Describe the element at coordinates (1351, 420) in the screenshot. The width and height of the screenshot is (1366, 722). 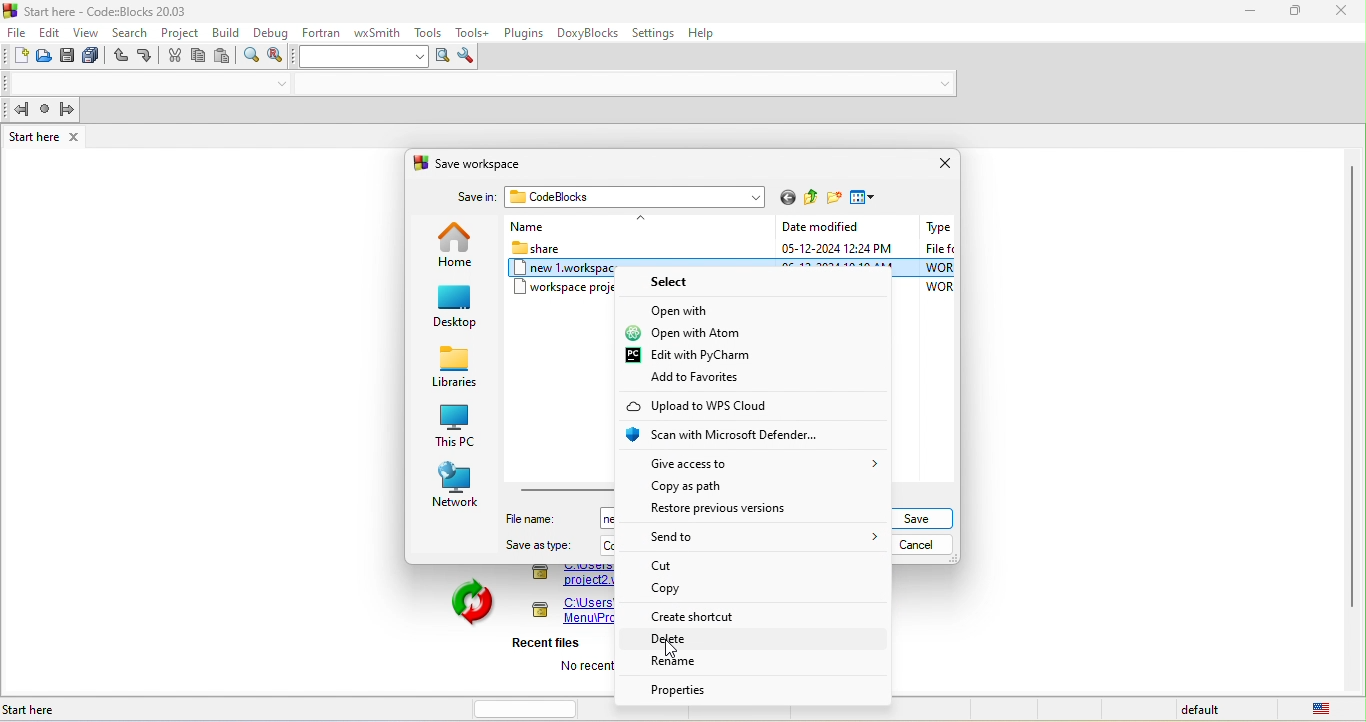
I see `Scroll bar` at that location.